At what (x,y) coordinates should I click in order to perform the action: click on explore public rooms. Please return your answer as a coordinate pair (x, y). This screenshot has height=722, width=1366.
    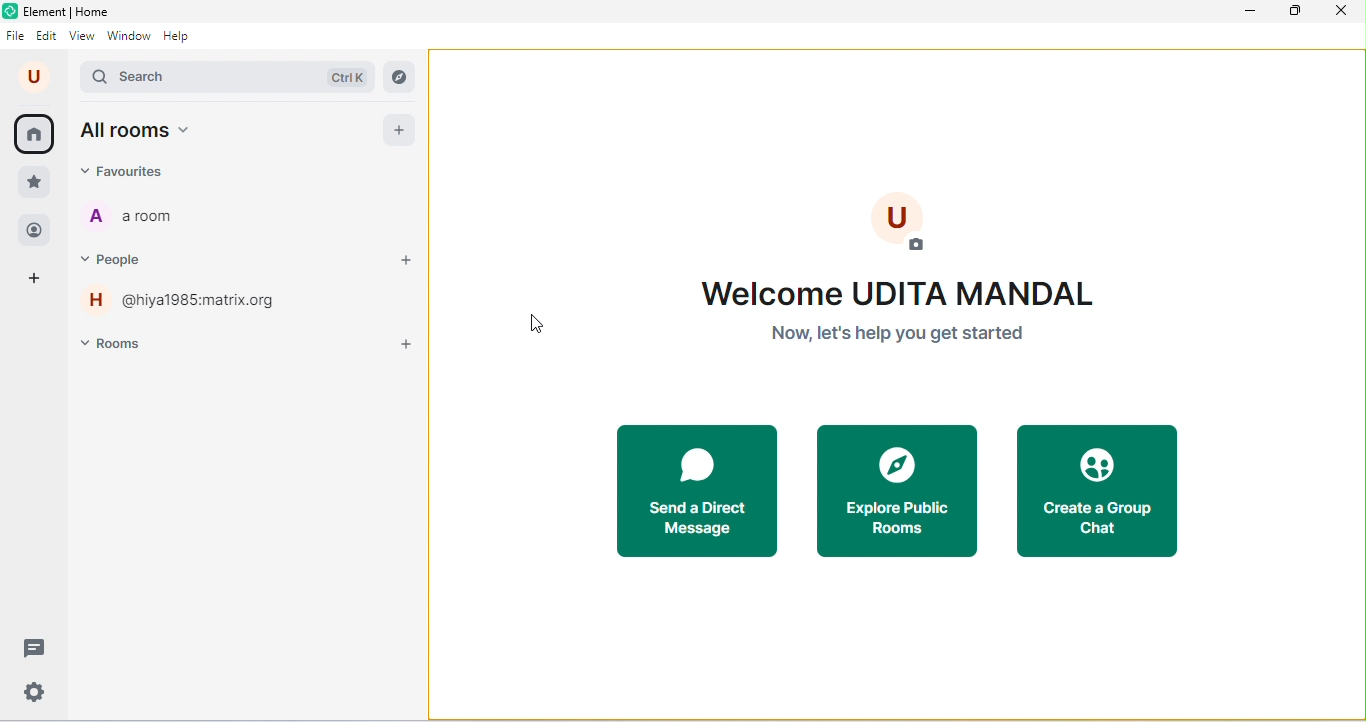
    Looking at the image, I should click on (899, 488).